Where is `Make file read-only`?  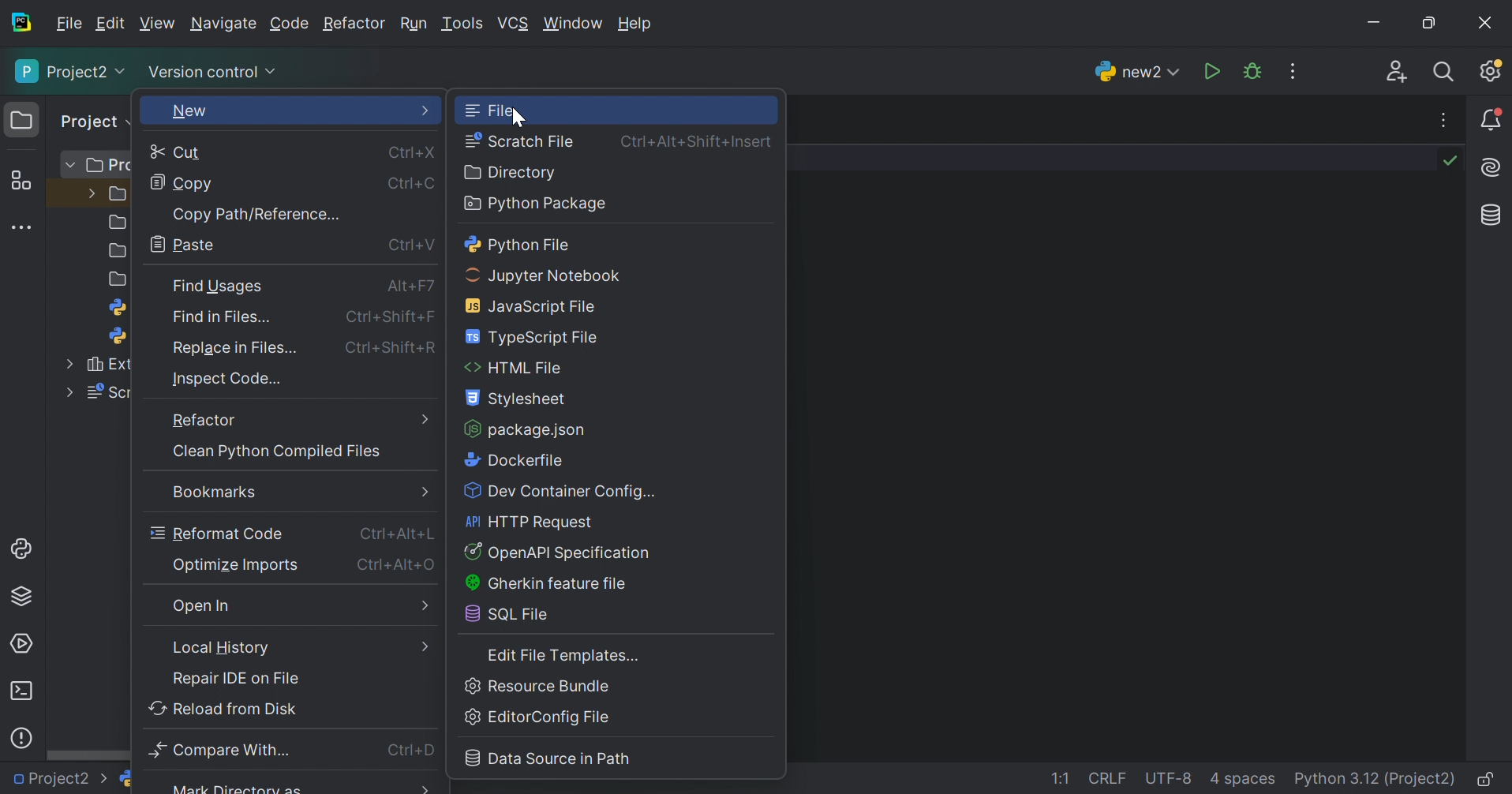 Make file read-only is located at coordinates (1488, 781).